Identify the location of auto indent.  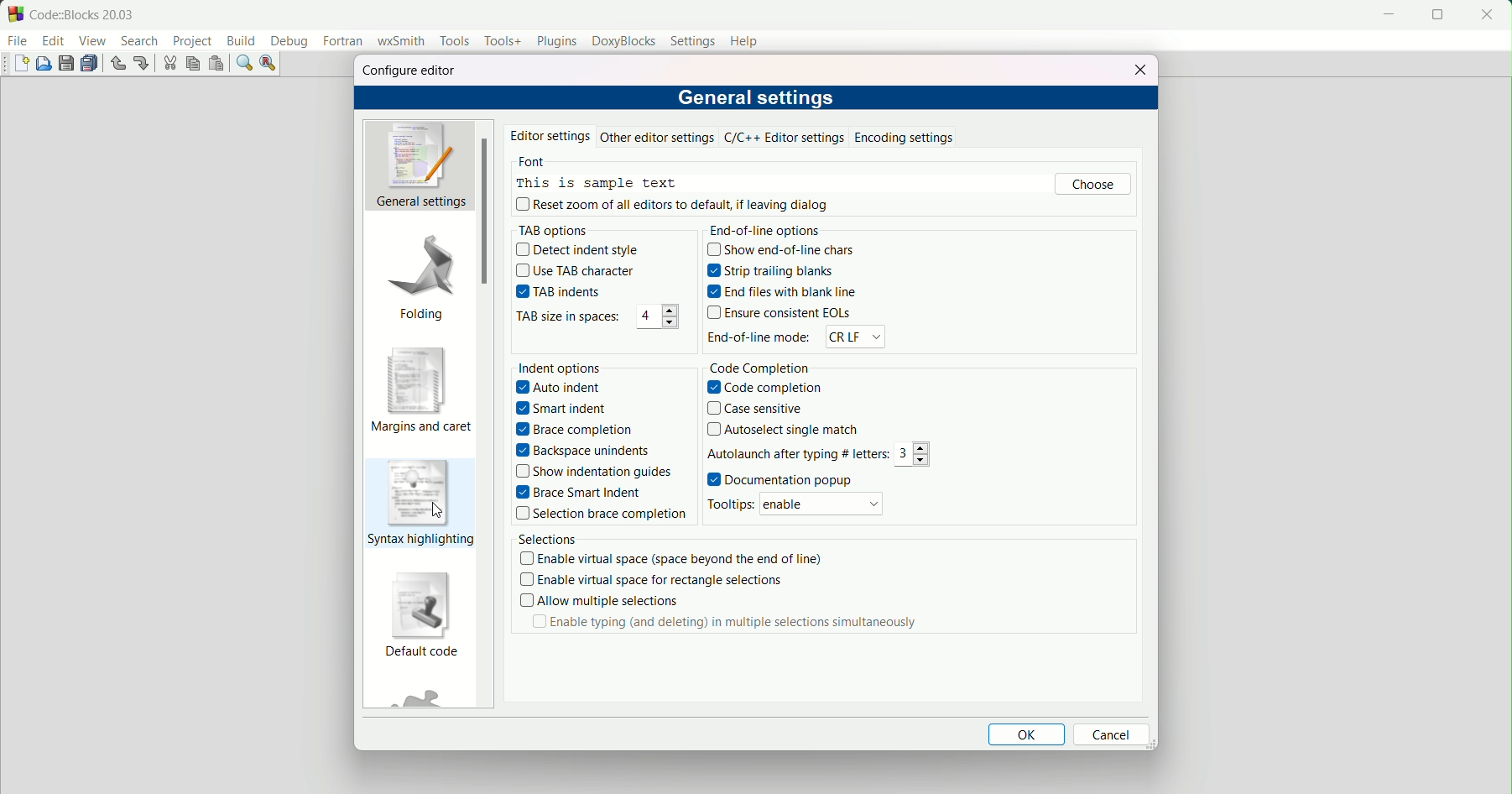
(562, 388).